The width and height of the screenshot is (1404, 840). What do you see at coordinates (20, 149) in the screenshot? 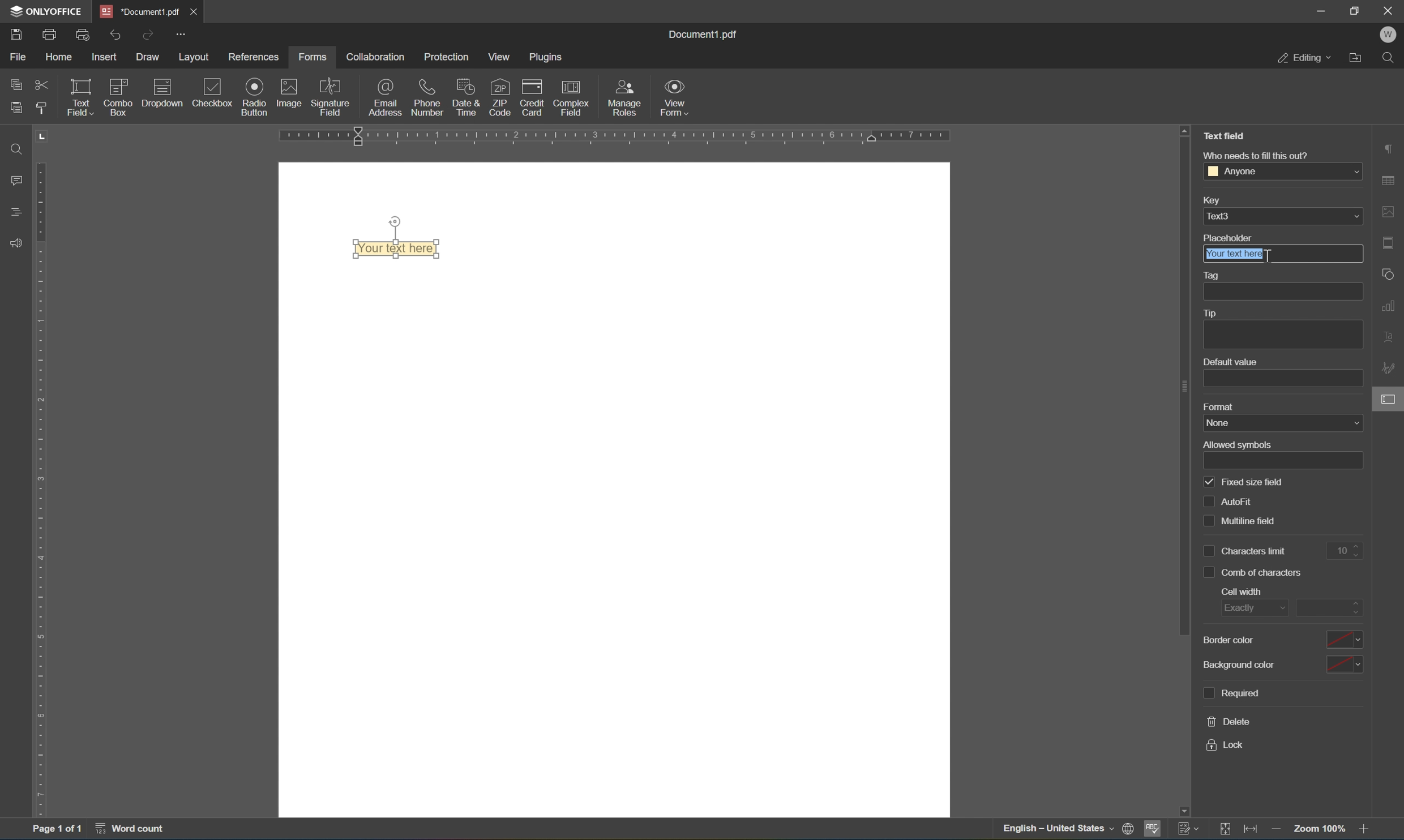
I see `find` at bounding box center [20, 149].